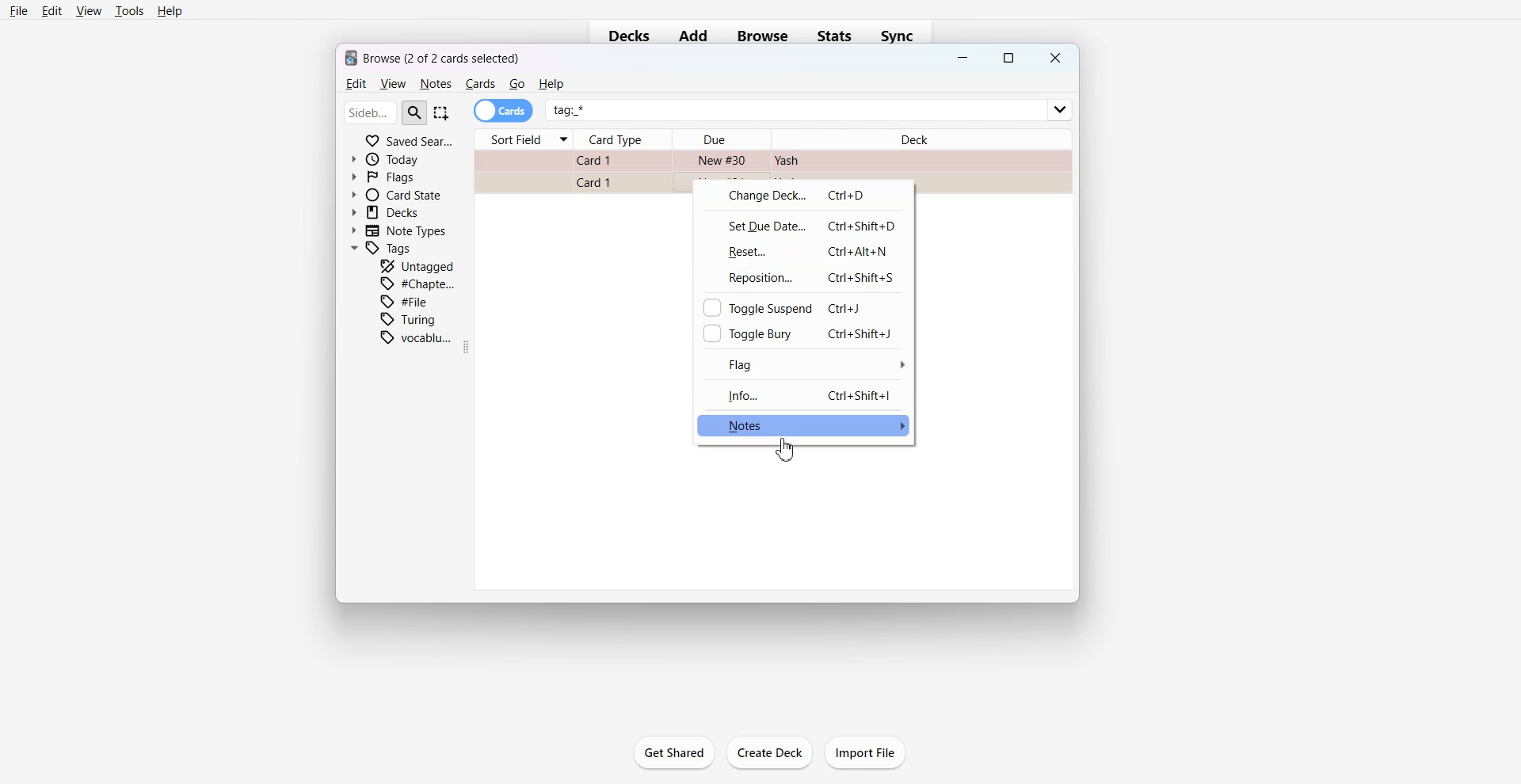  Describe the element at coordinates (803, 225) in the screenshot. I see `Set Due date` at that location.